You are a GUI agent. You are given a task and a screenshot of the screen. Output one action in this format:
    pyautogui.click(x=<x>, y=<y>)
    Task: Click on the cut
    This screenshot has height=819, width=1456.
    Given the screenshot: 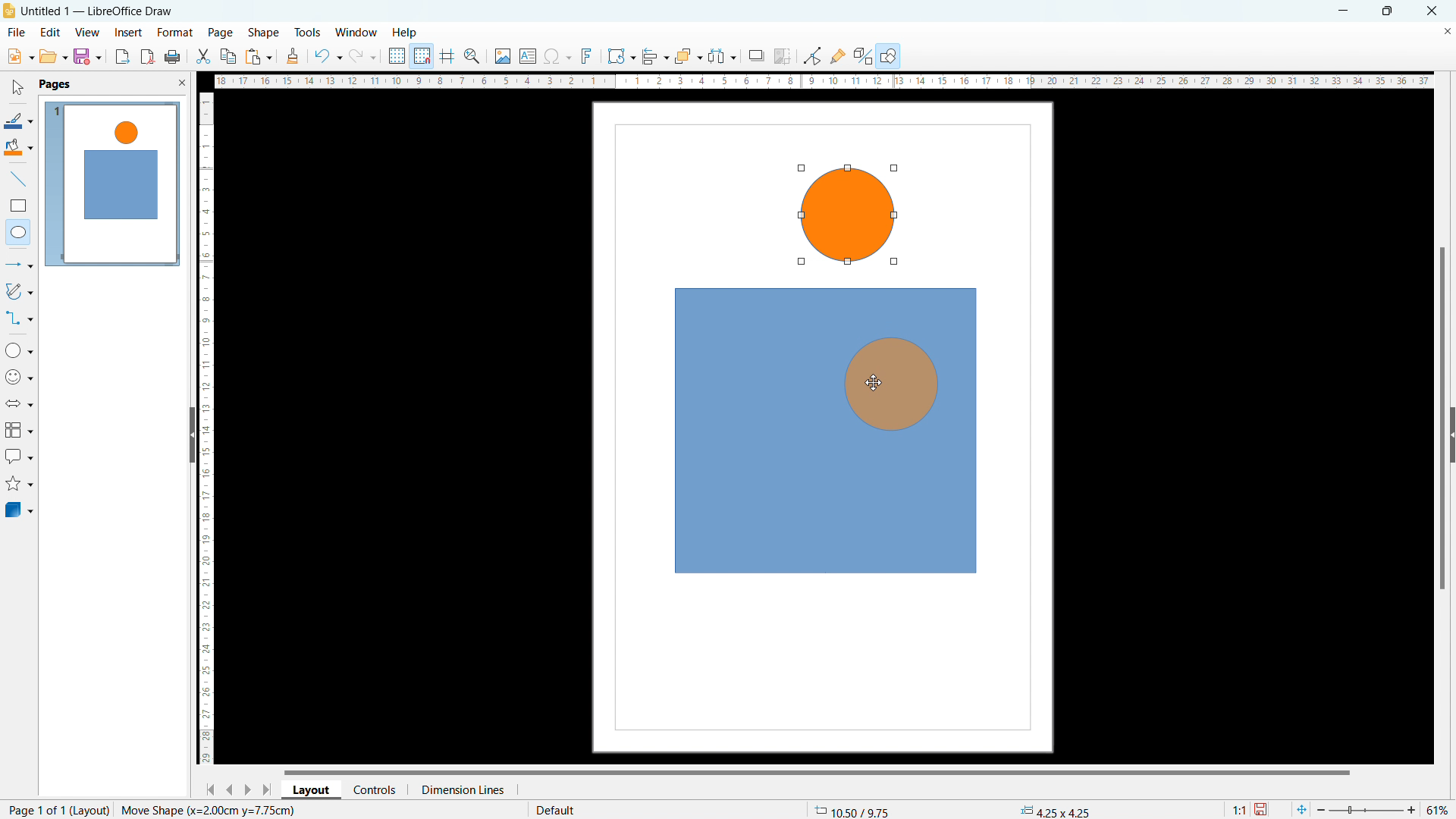 What is the action you would take?
    pyautogui.click(x=204, y=56)
    